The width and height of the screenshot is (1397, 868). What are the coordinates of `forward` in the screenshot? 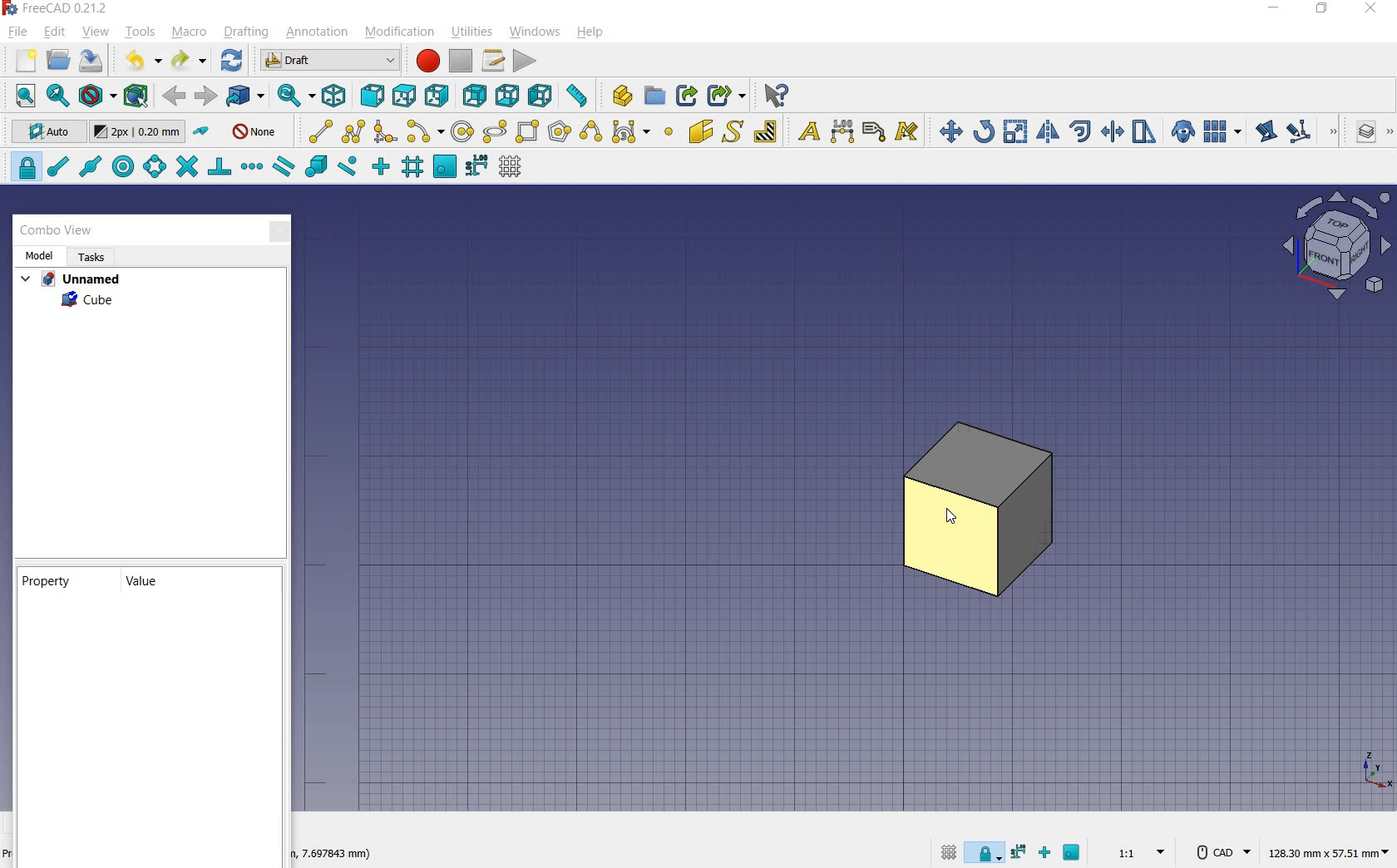 It's located at (205, 96).